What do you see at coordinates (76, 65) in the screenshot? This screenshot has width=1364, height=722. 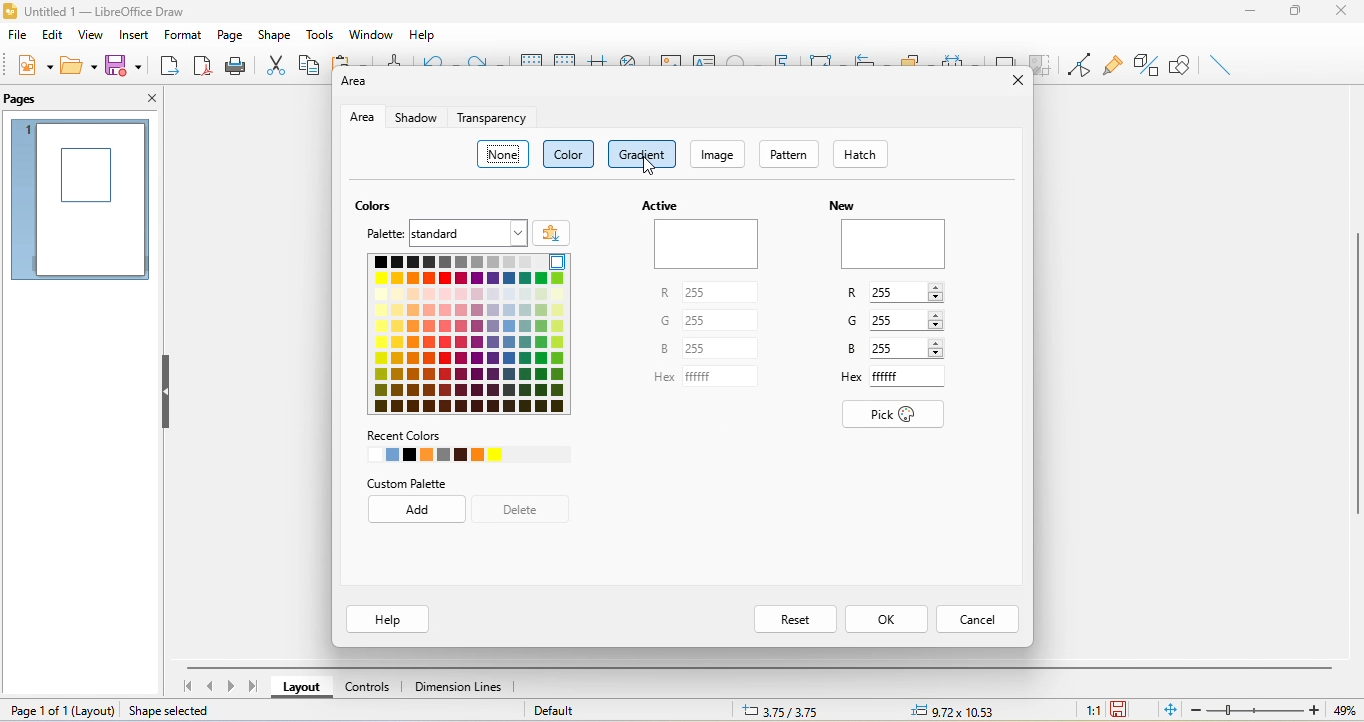 I see `open` at bounding box center [76, 65].